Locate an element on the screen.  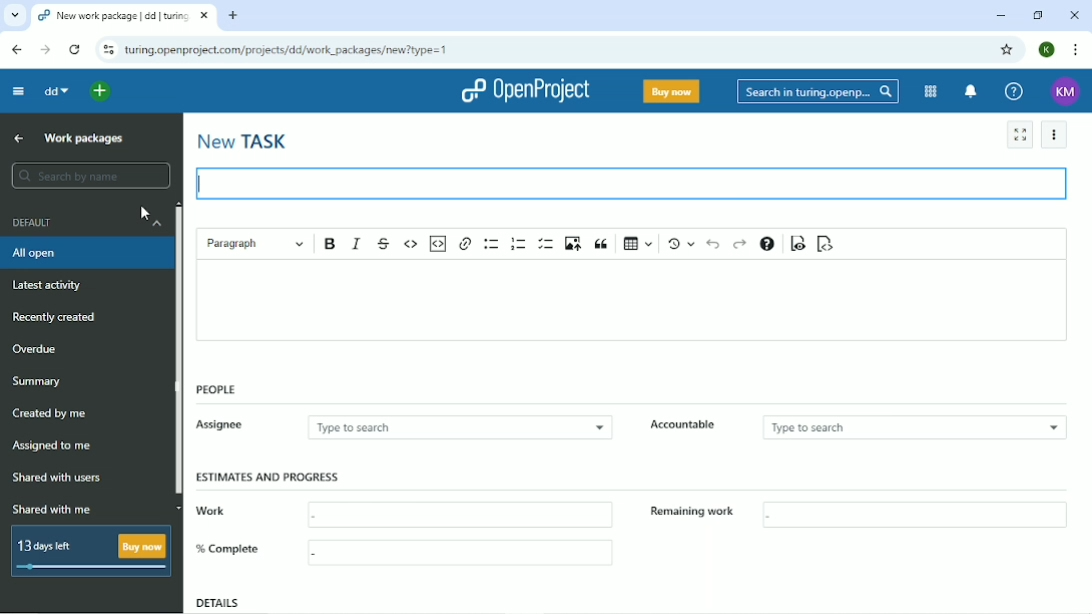
To notification center is located at coordinates (971, 92).